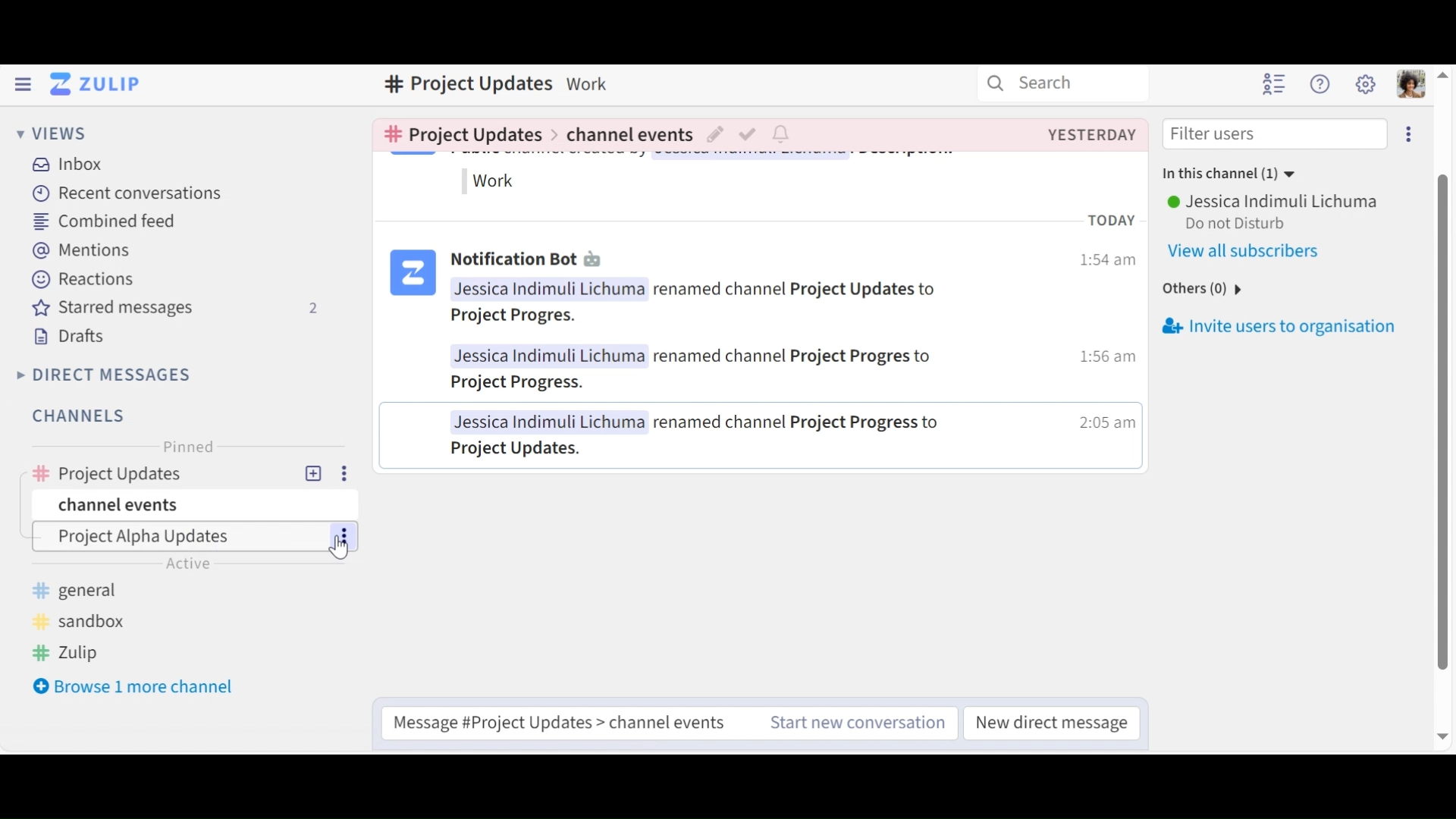  Describe the element at coordinates (750, 136) in the screenshot. I see `Mark as resolved` at that location.